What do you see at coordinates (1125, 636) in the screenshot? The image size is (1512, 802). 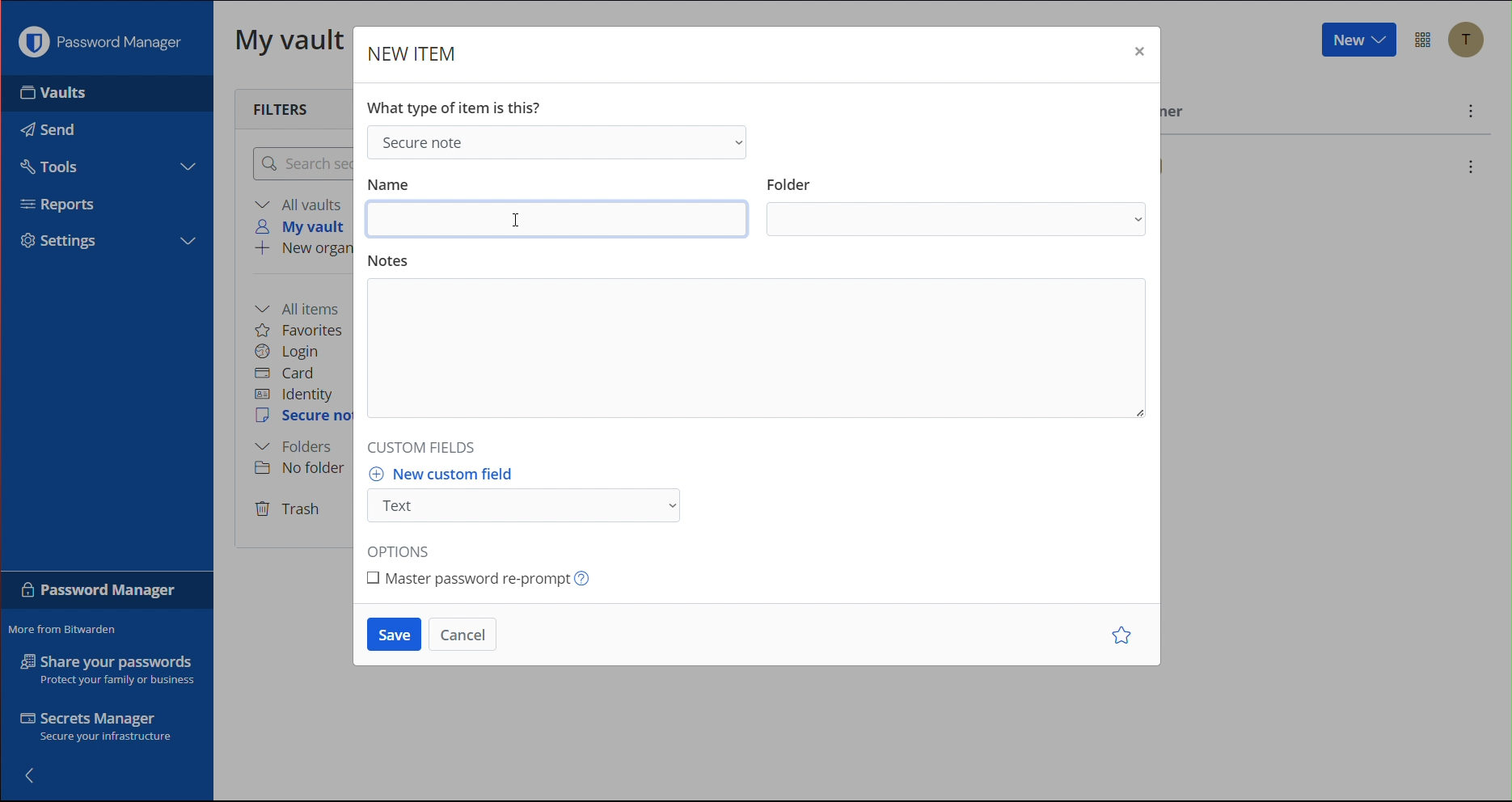 I see `Star` at bounding box center [1125, 636].